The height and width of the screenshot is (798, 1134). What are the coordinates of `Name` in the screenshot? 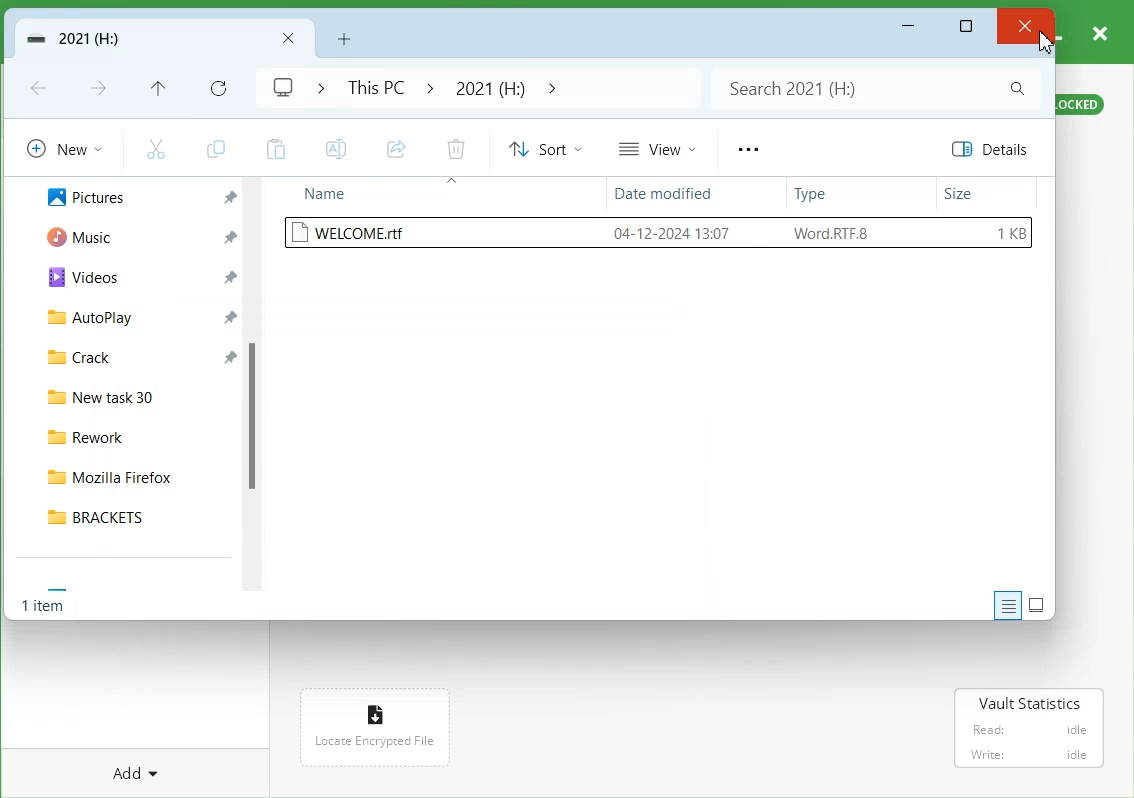 It's located at (362, 194).